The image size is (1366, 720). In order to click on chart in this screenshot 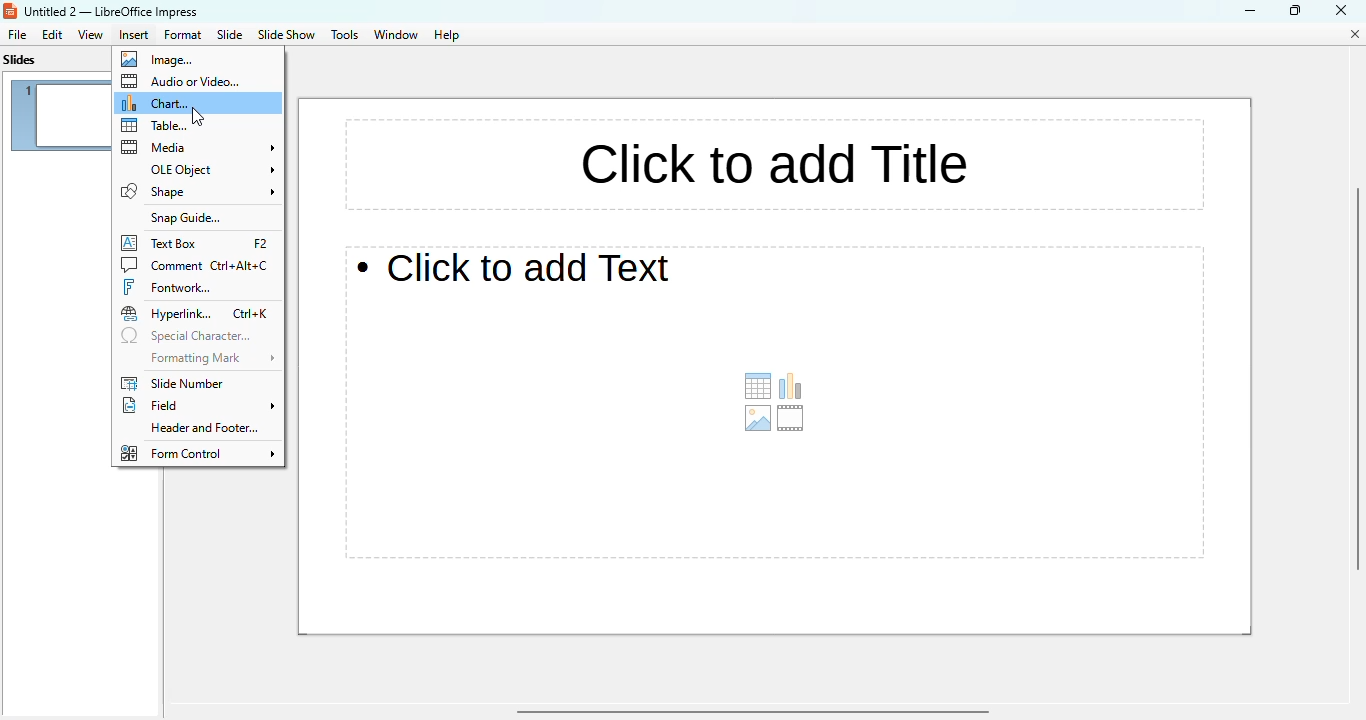, I will do `click(160, 103)`.